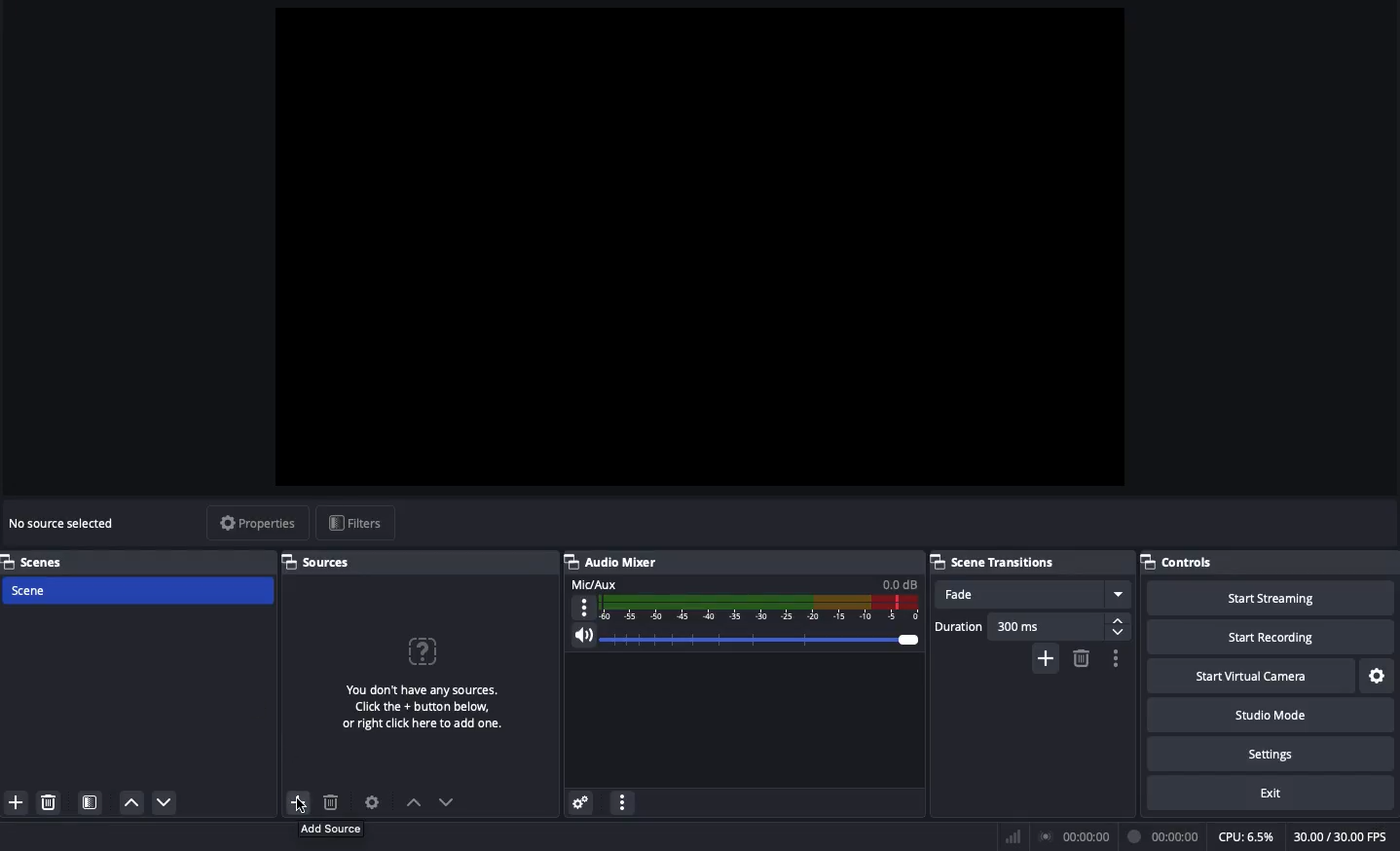 The width and height of the screenshot is (1400, 851). I want to click on Options, so click(1117, 658).